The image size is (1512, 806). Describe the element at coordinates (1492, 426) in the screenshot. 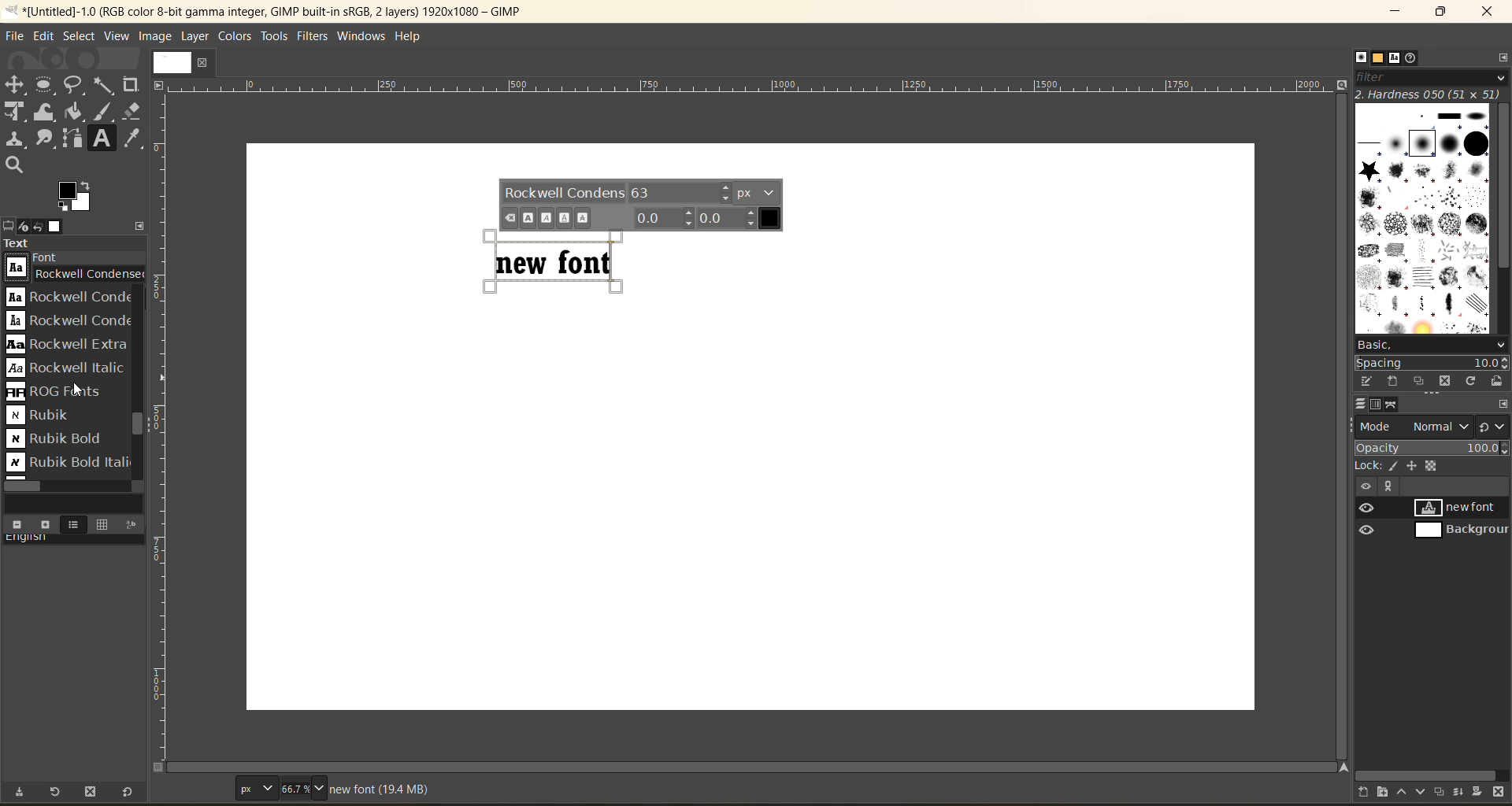

I see `switch` at that location.